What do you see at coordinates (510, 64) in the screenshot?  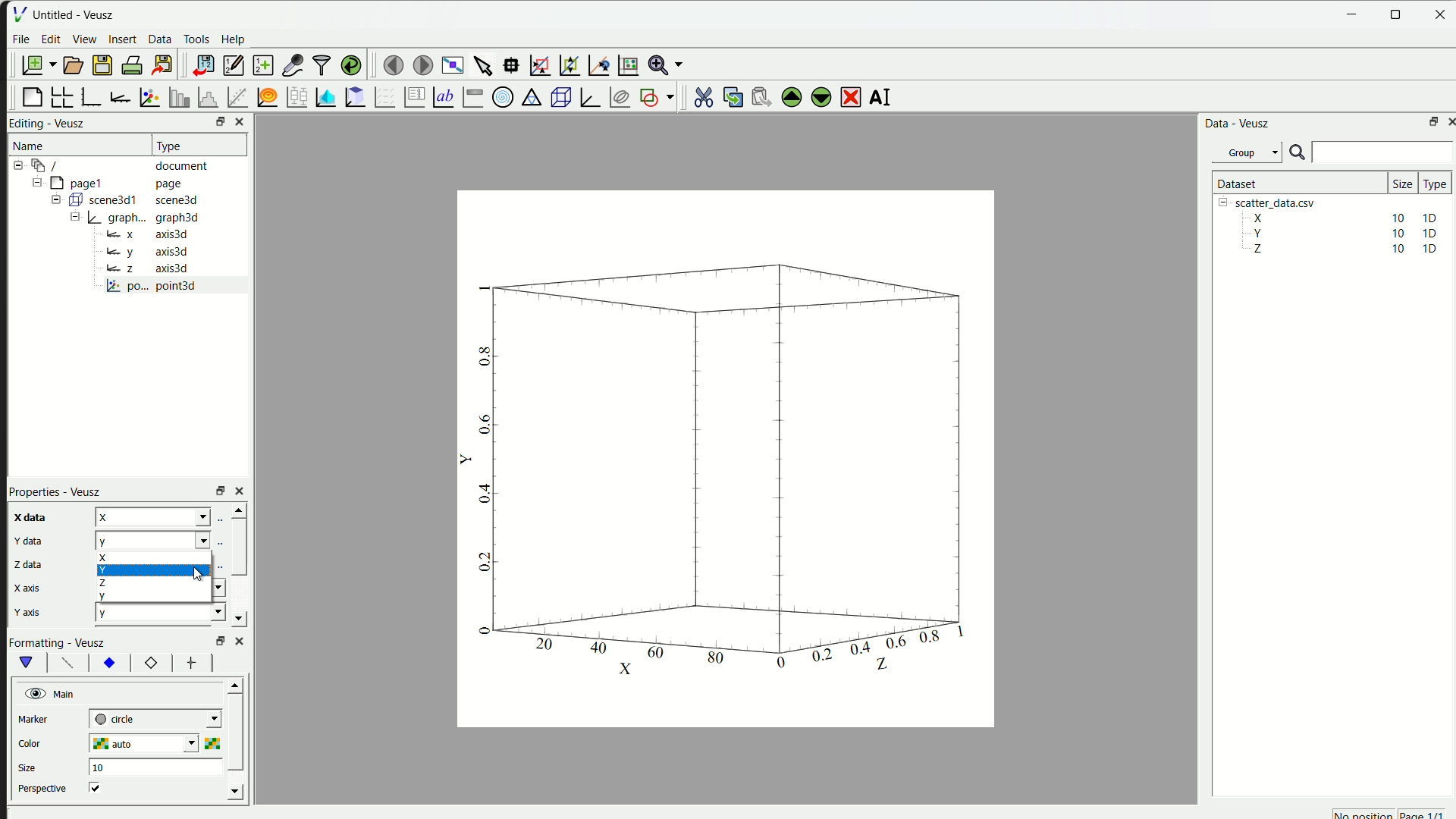 I see `read datapoint on graph` at bounding box center [510, 64].